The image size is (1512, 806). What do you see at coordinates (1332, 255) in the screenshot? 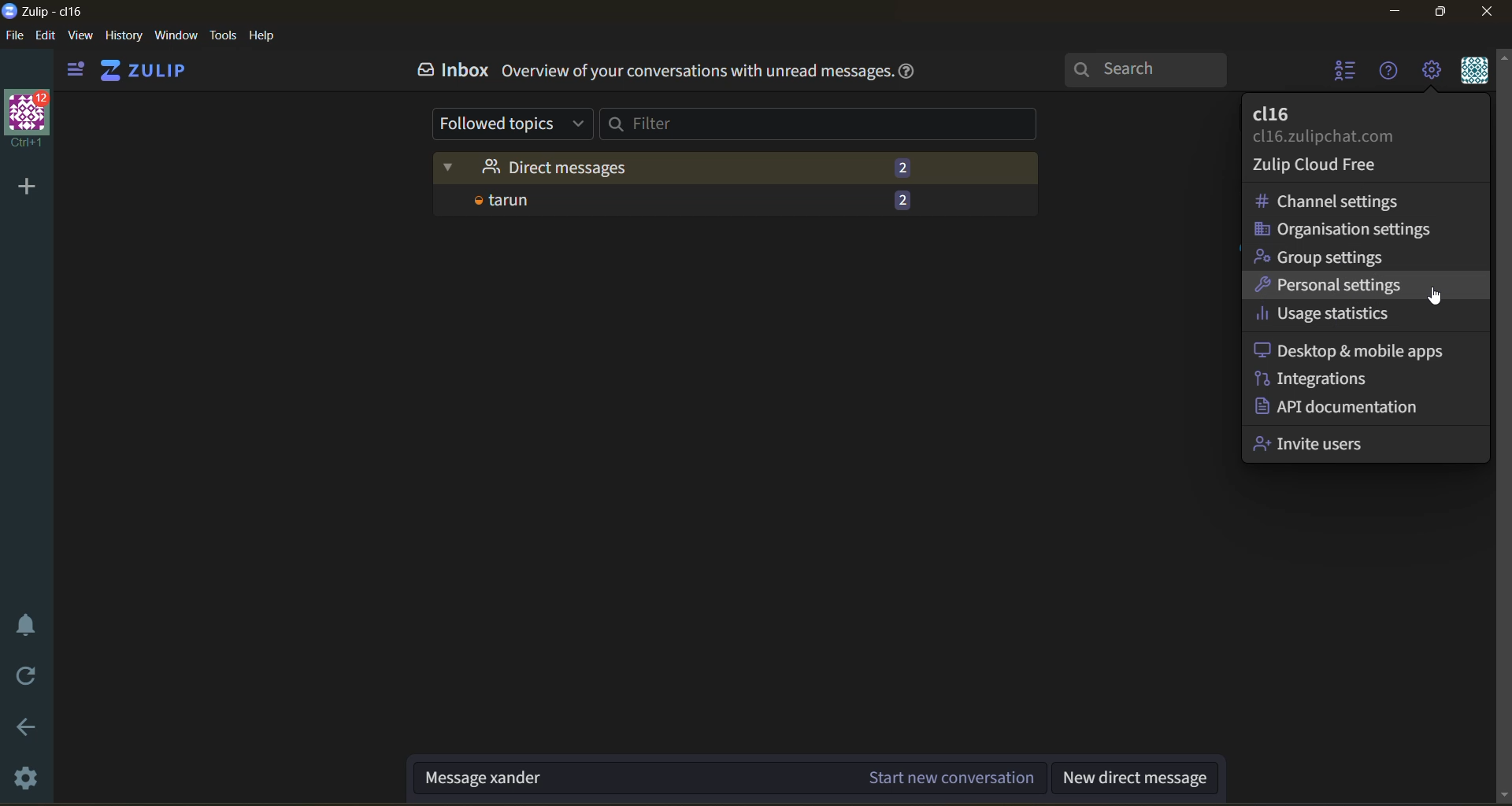
I see `group settings` at bounding box center [1332, 255].